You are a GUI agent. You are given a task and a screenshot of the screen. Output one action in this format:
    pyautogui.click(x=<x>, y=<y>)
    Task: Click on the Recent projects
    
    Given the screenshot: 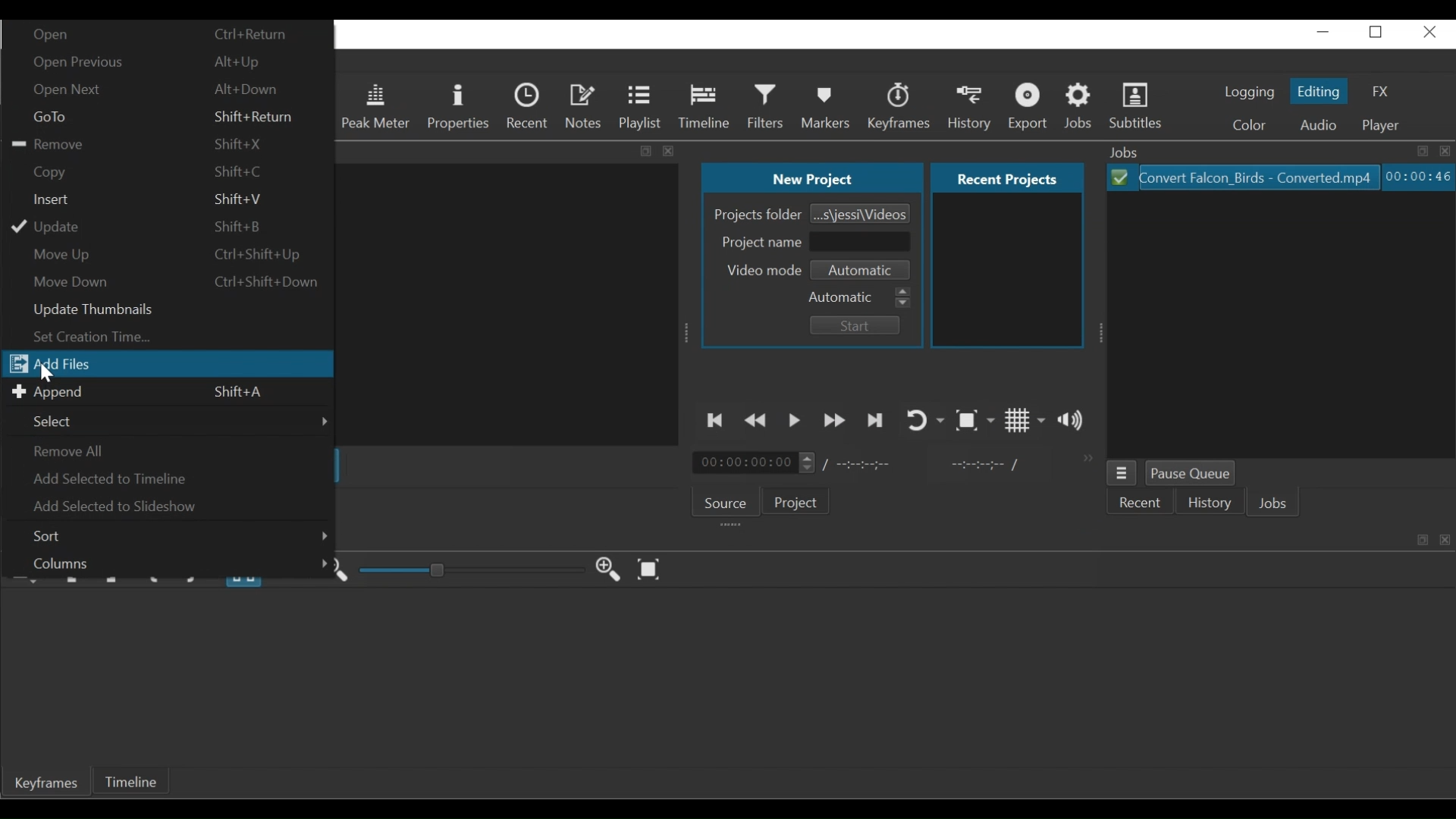 What is the action you would take?
    pyautogui.click(x=1007, y=273)
    